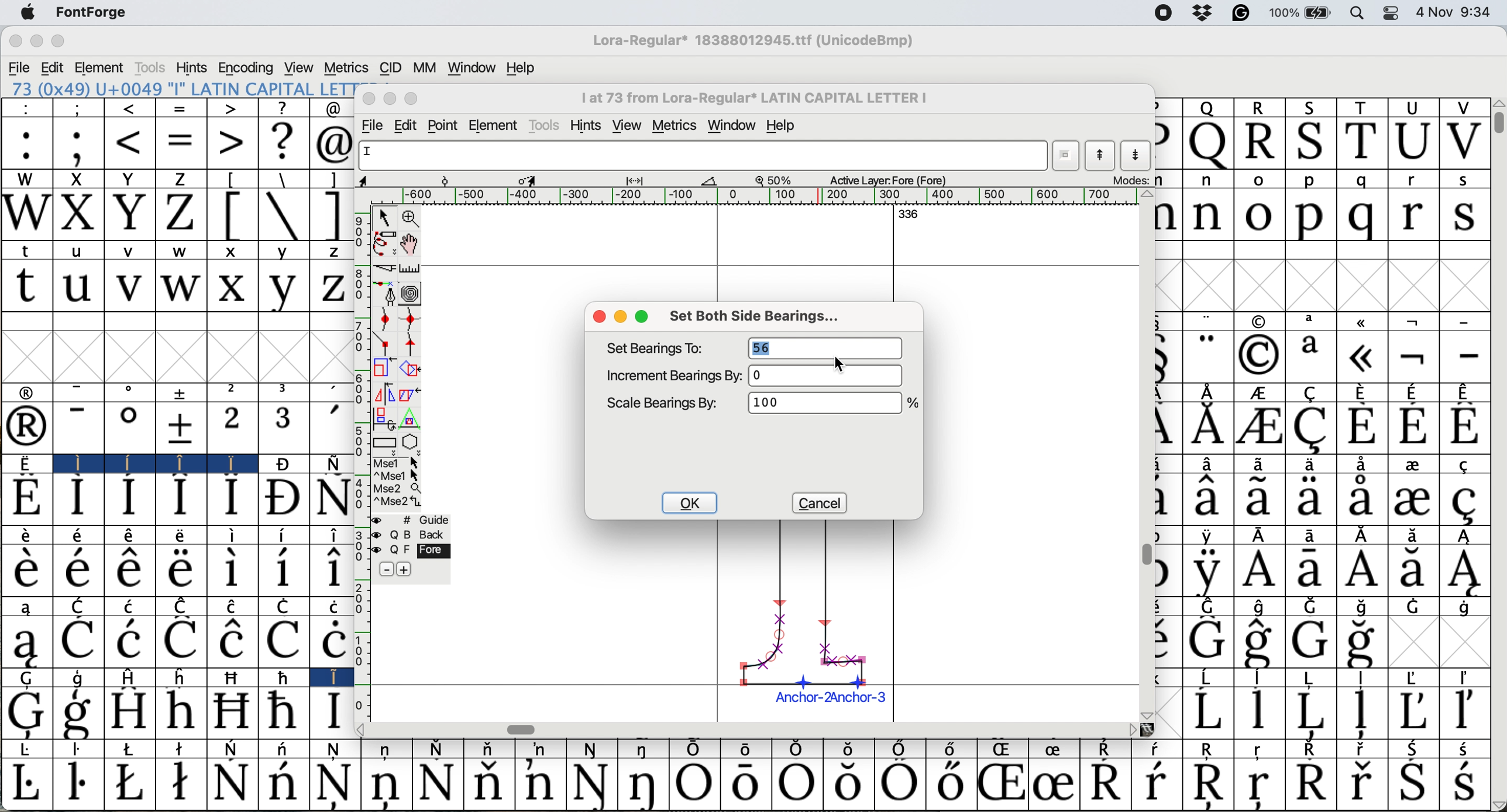 The height and width of the screenshot is (812, 1507). Describe the element at coordinates (389, 67) in the screenshot. I see `cid` at that location.